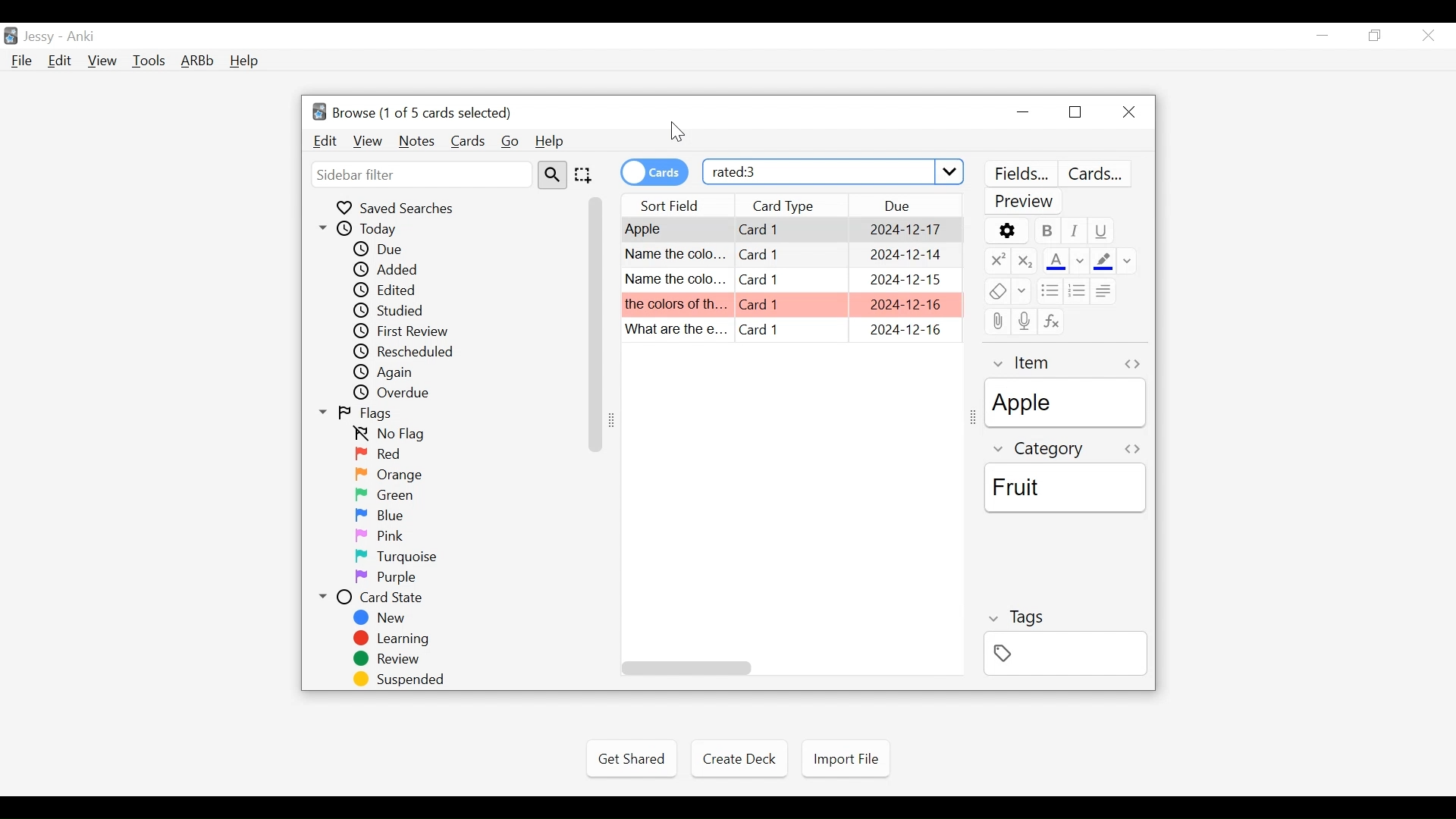 The height and width of the screenshot is (819, 1456). What do you see at coordinates (1068, 488) in the screenshot?
I see `Category Field` at bounding box center [1068, 488].